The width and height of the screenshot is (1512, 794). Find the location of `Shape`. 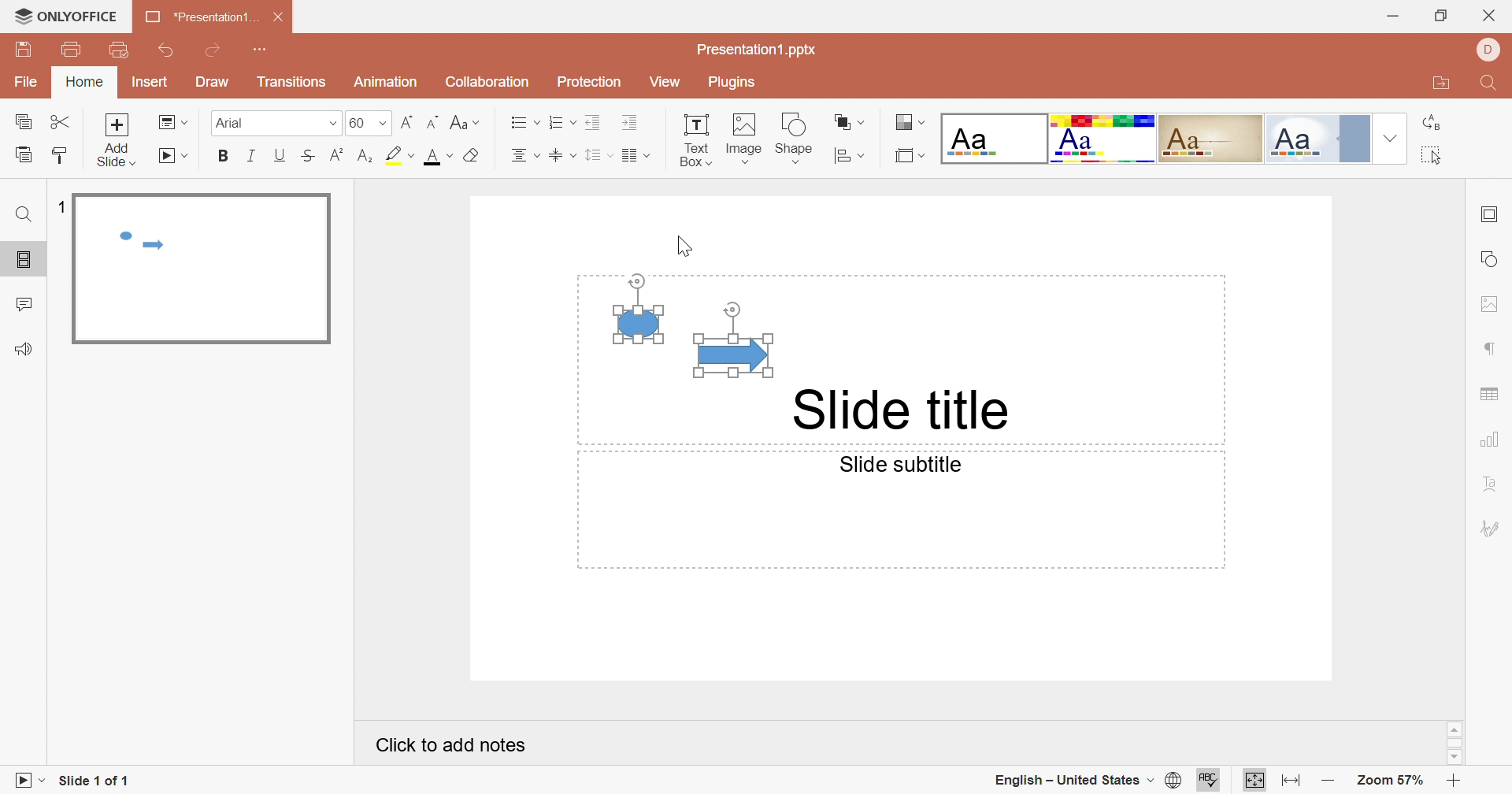

Shape is located at coordinates (637, 310).